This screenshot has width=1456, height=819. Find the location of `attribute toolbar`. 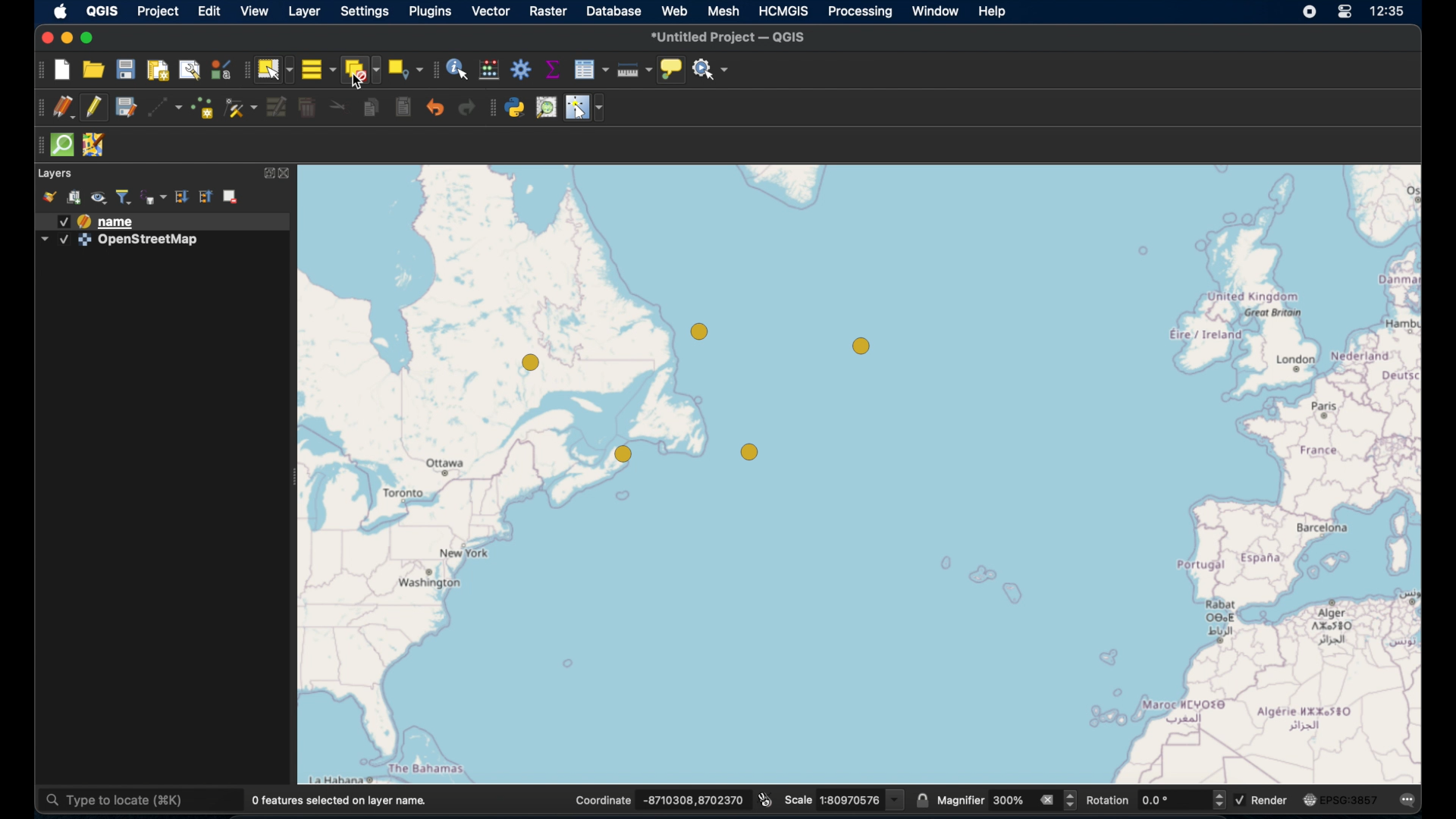

attribute toolbar is located at coordinates (435, 69).